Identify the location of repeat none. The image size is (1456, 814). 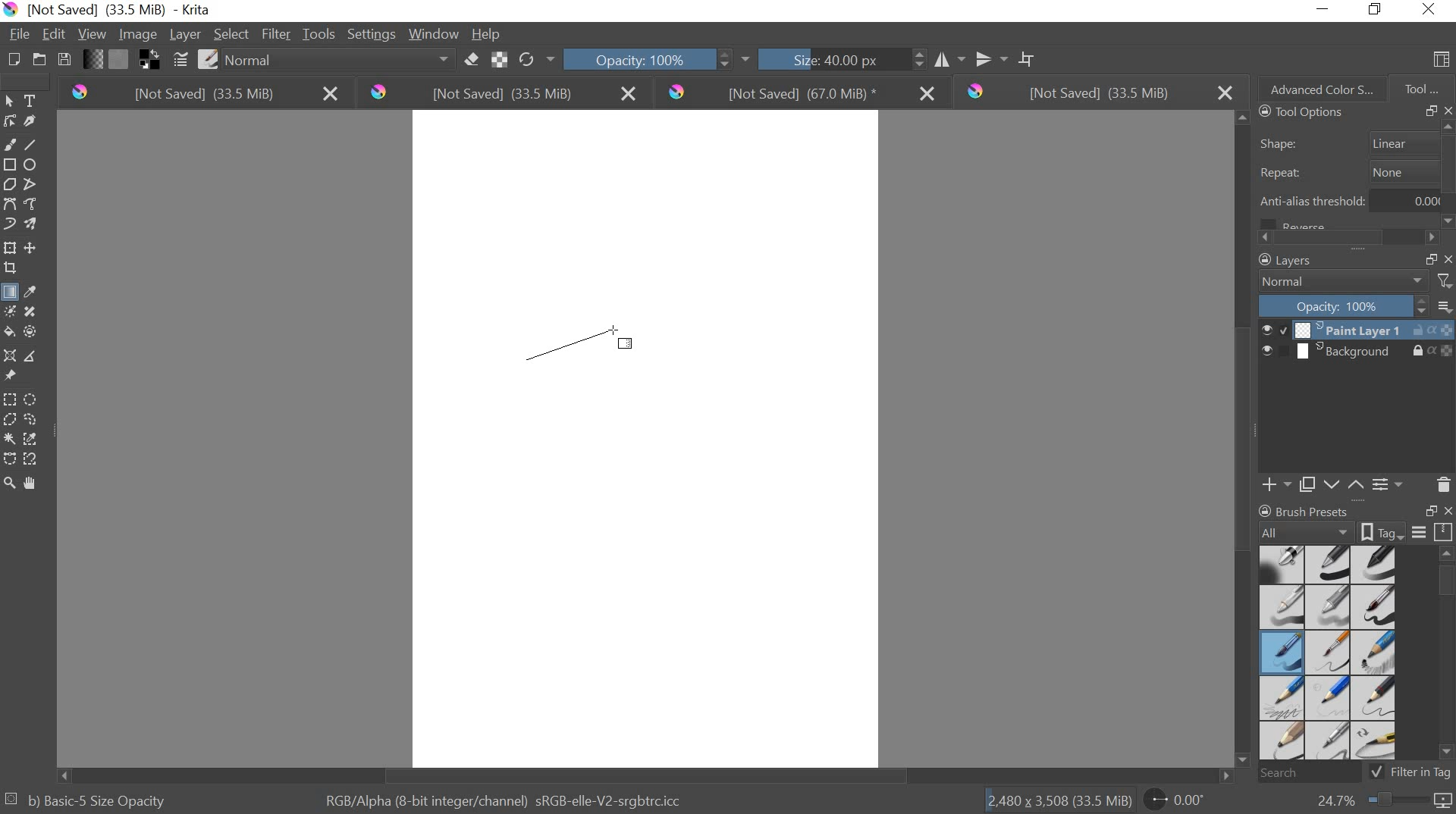
(1348, 173).